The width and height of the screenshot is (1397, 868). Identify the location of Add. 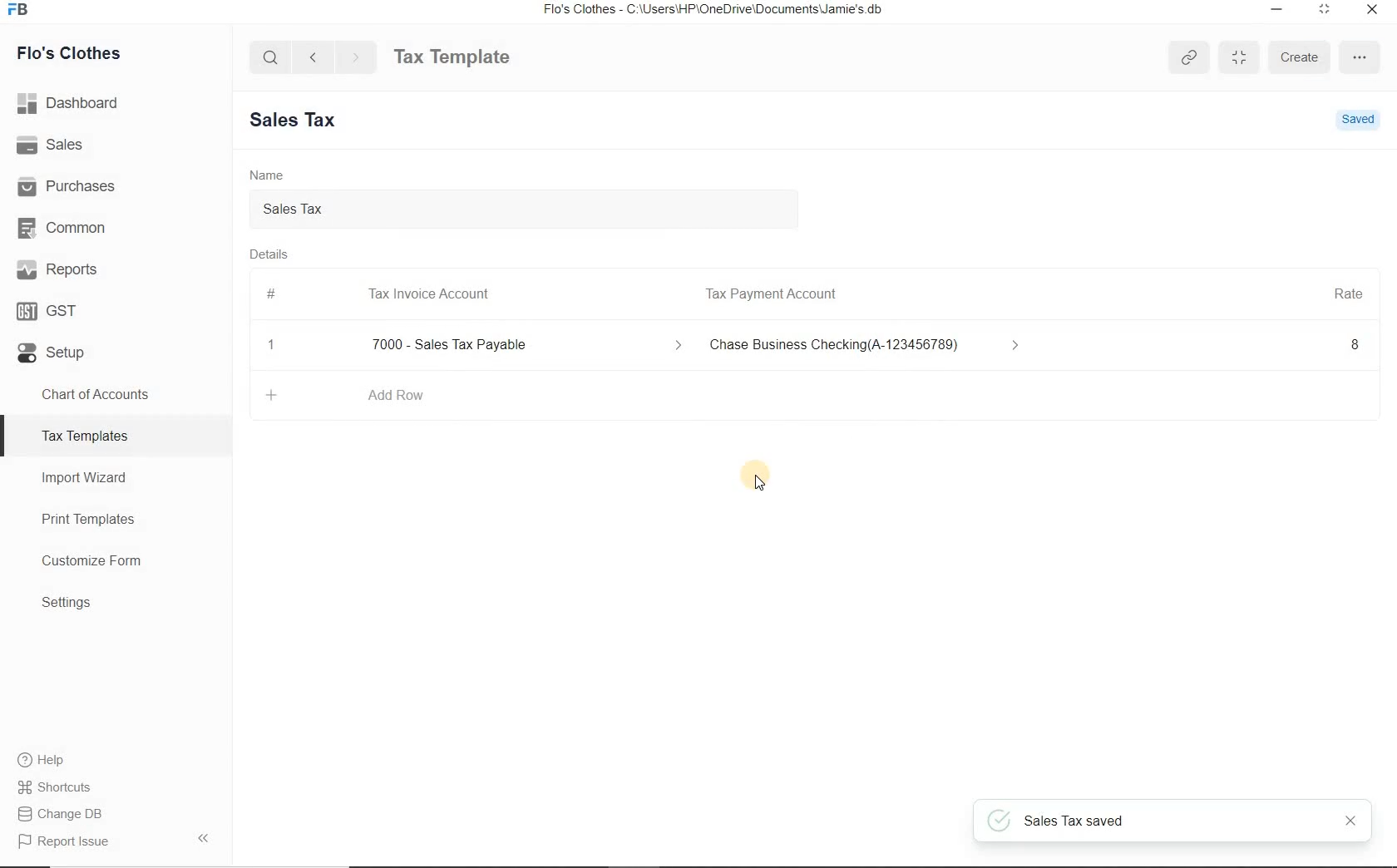
(273, 395).